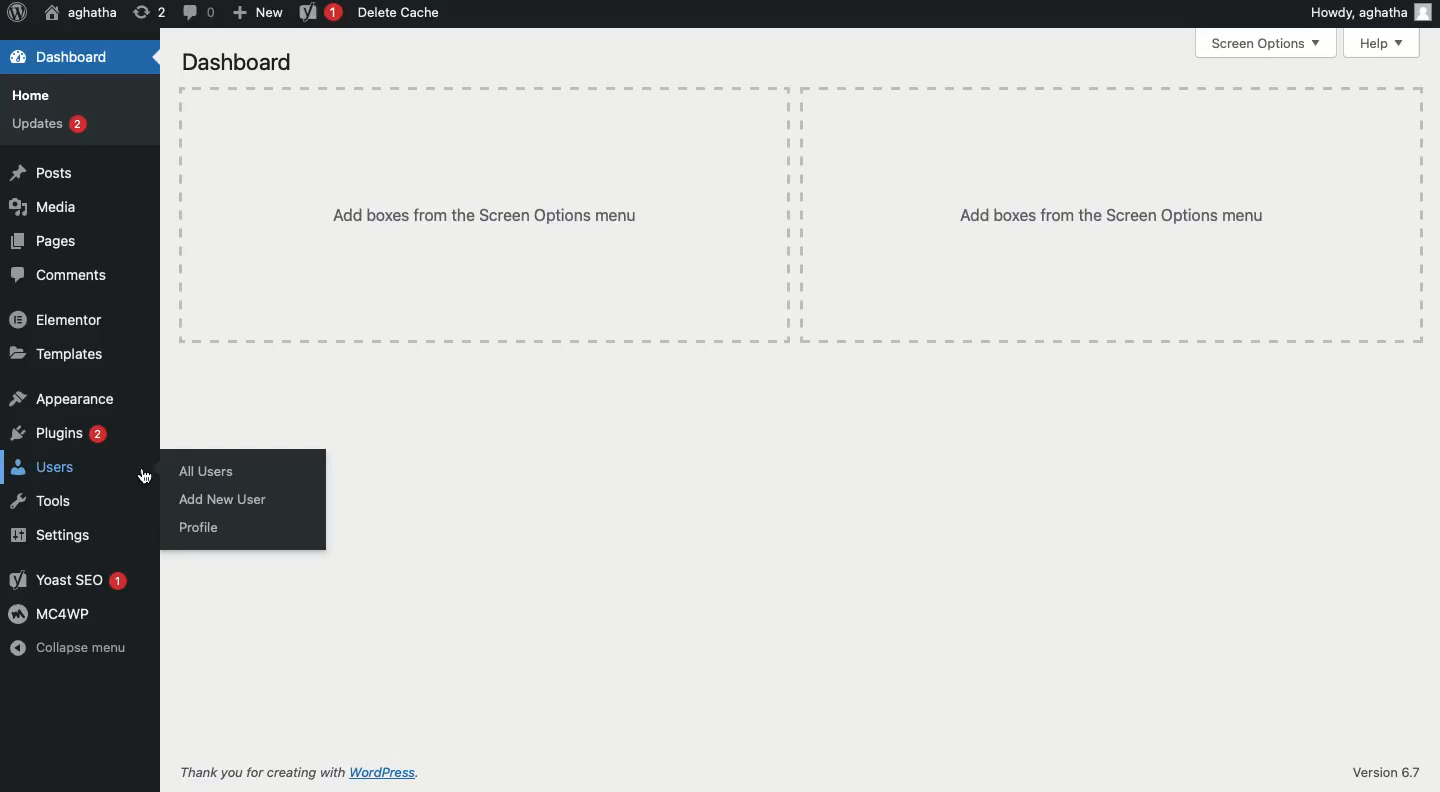  Describe the element at coordinates (206, 471) in the screenshot. I see `All users` at that location.